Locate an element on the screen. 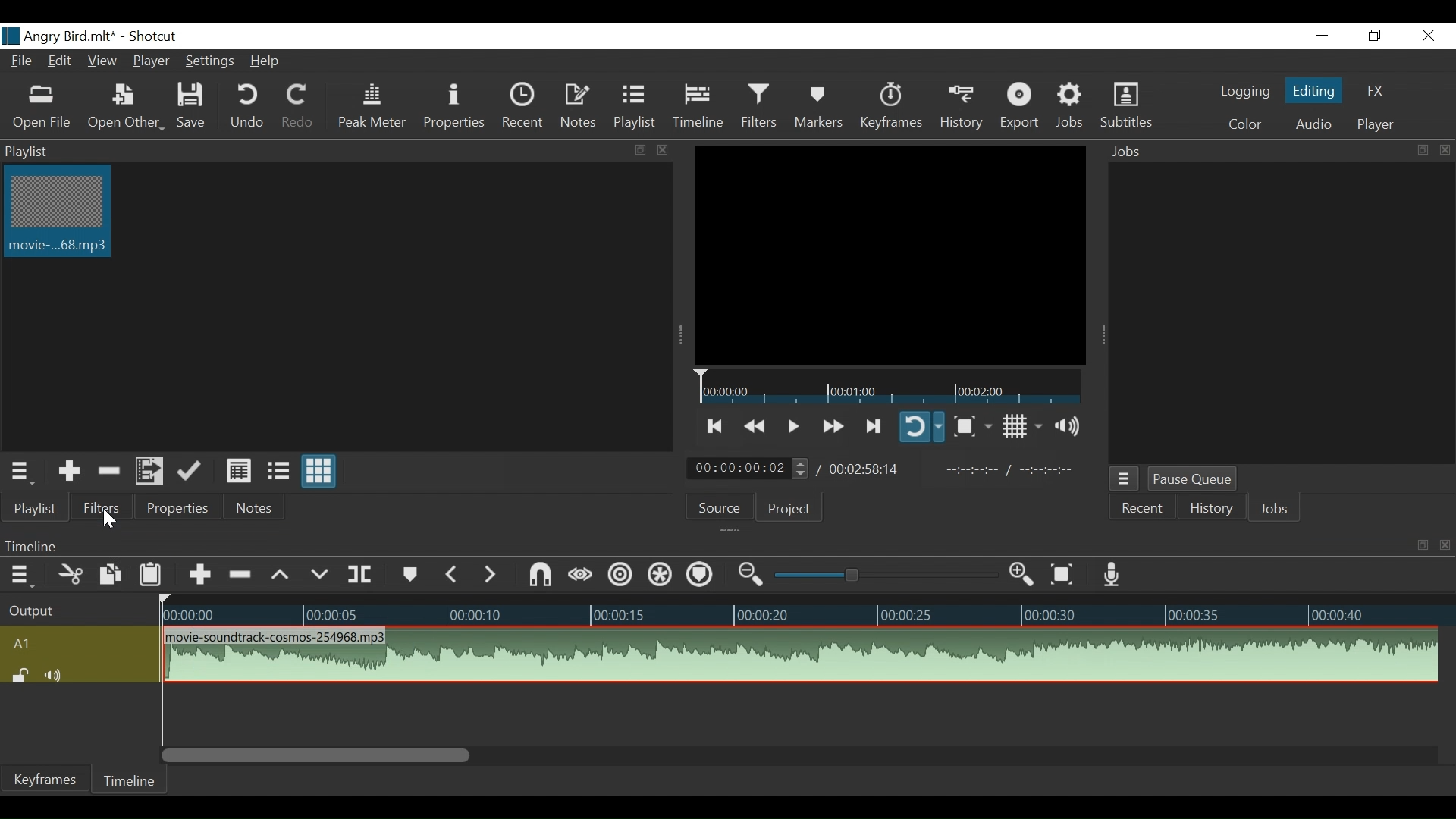 Image resolution: width=1456 pixels, height=819 pixels. minimize is located at coordinates (1320, 36).